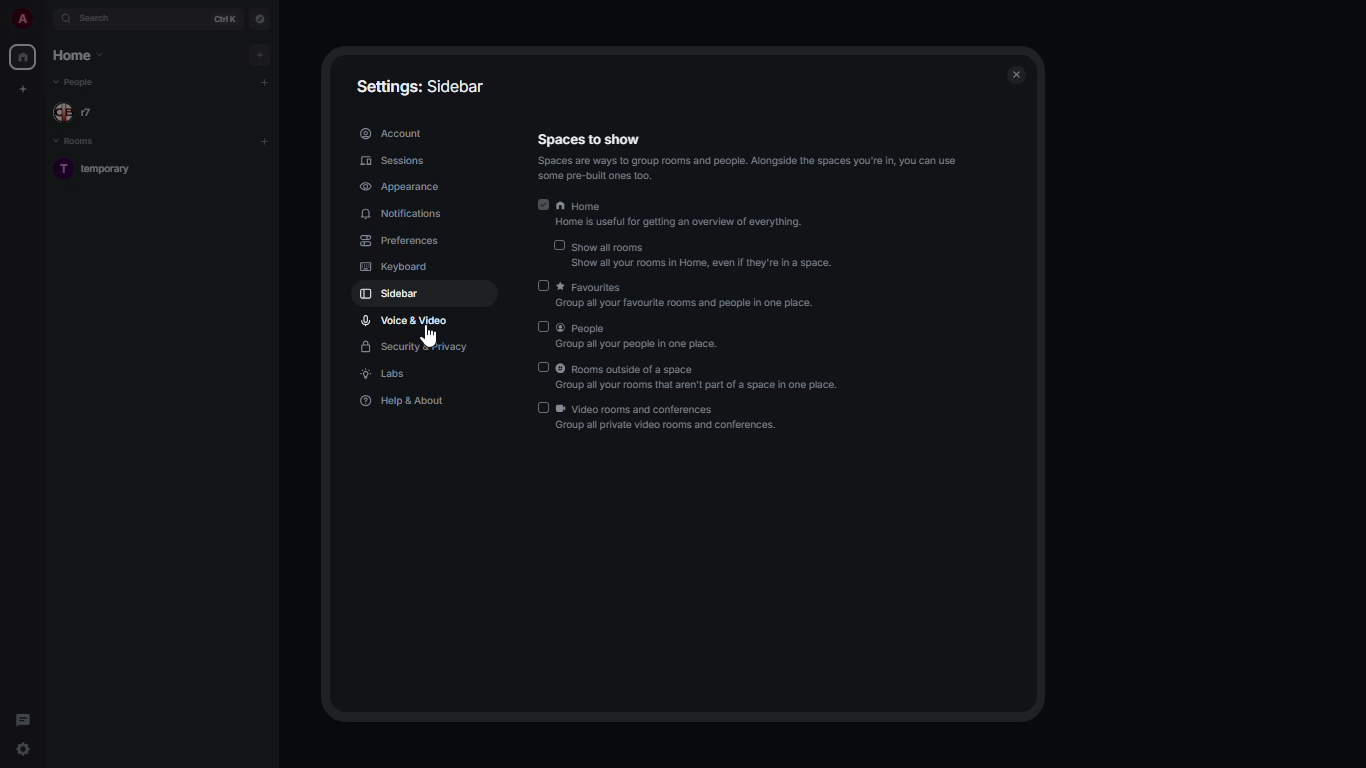 This screenshot has width=1366, height=768. I want to click on labs, so click(386, 375).